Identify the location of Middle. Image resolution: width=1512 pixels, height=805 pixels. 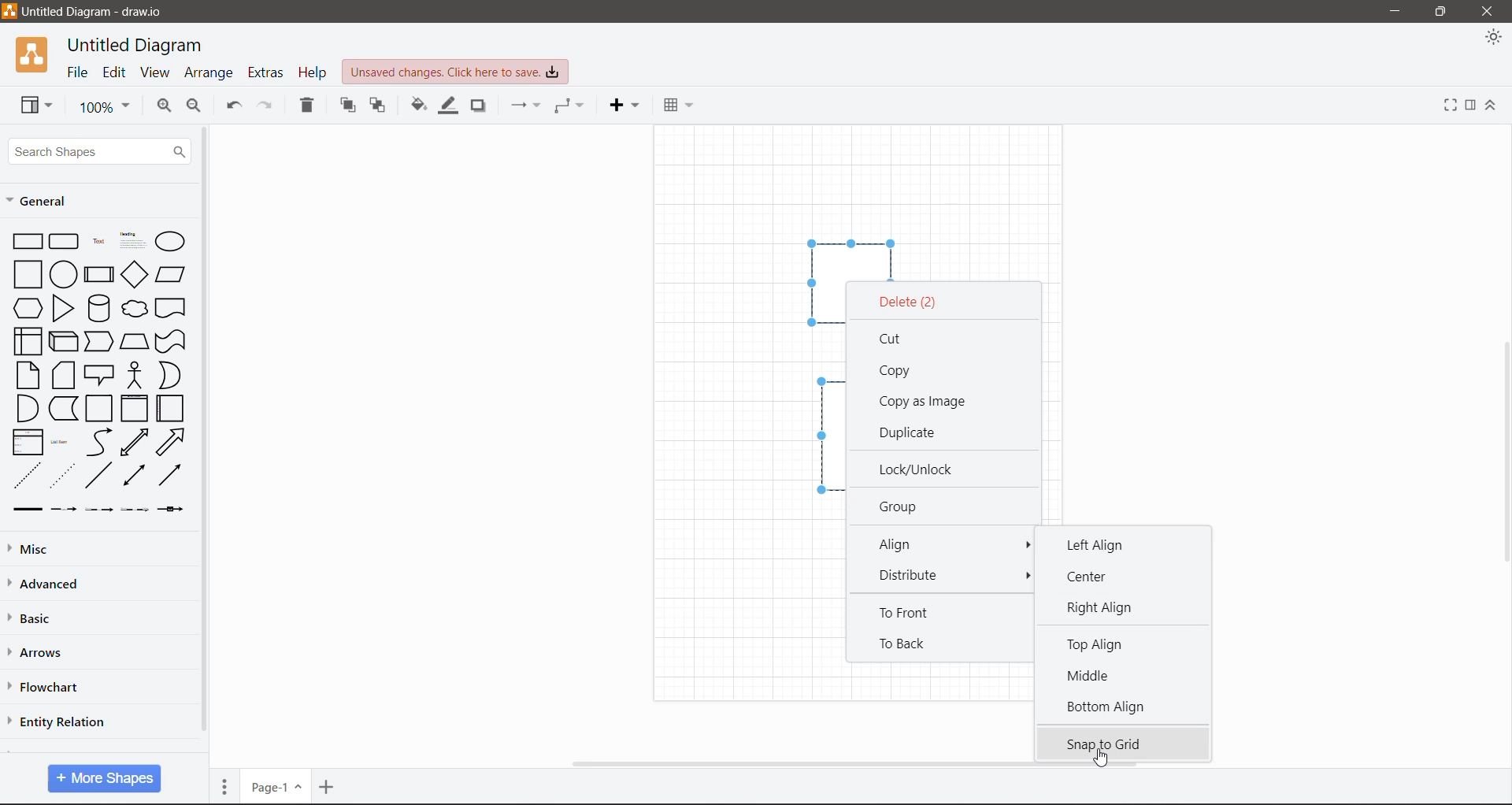
(1098, 675).